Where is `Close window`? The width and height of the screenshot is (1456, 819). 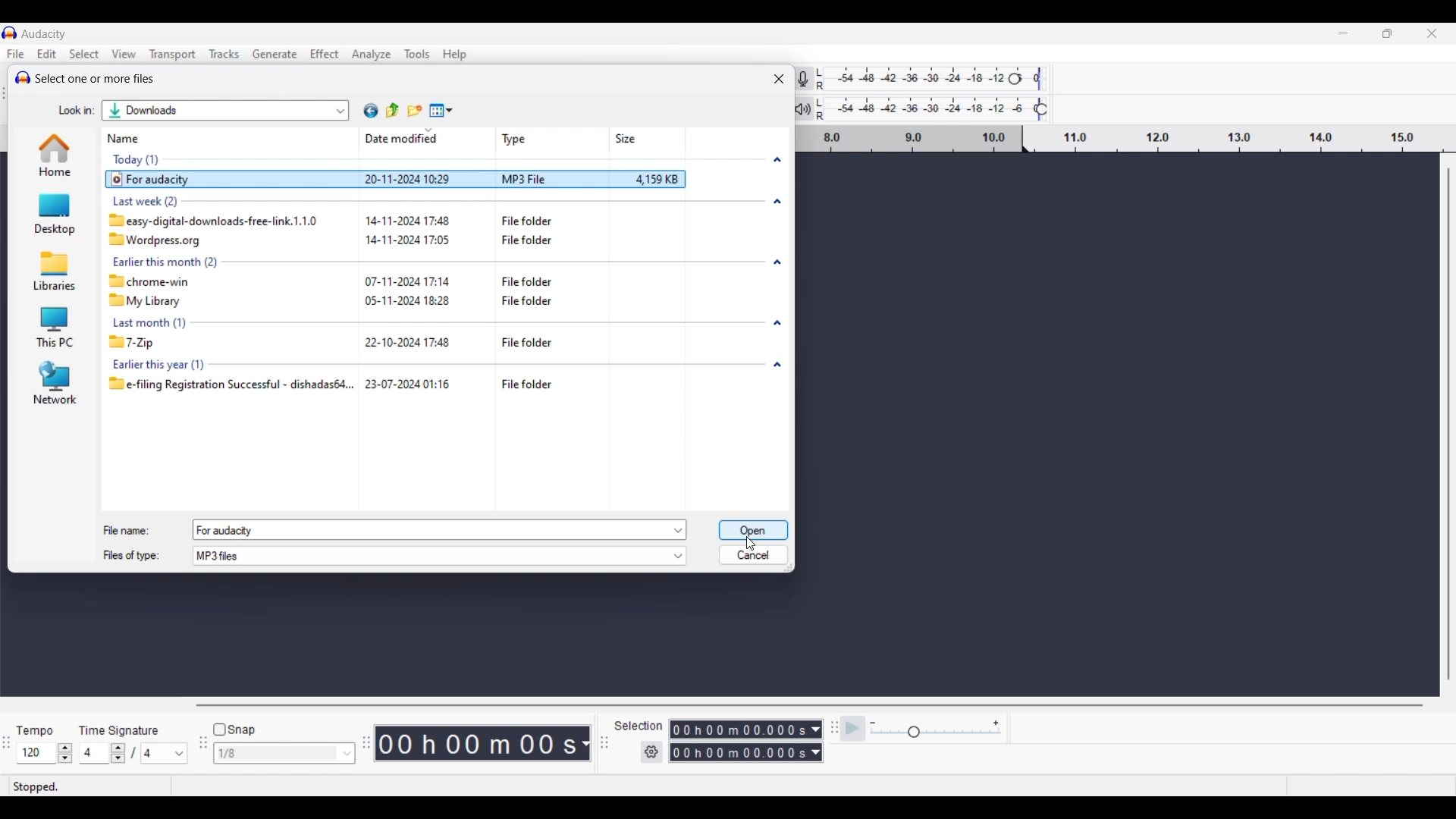
Close window is located at coordinates (779, 79).